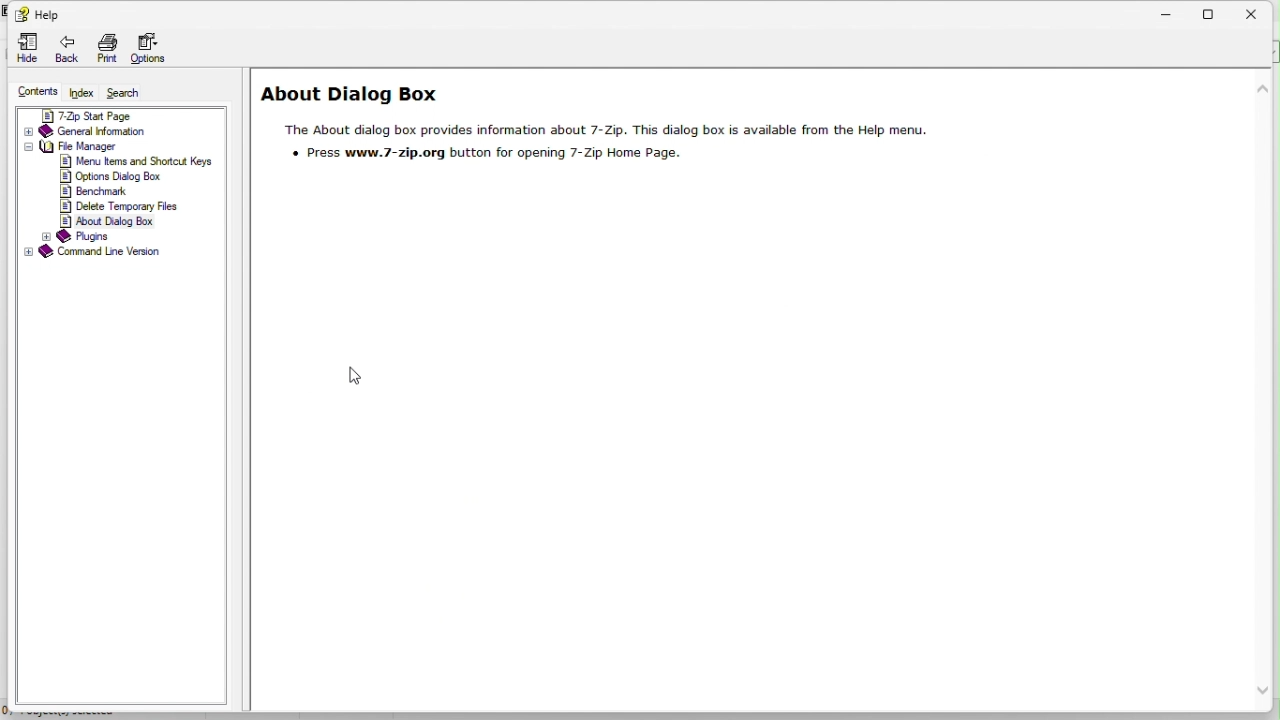 The width and height of the screenshot is (1280, 720). What do you see at coordinates (39, 14) in the screenshot?
I see `help` at bounding box center [39, 14].